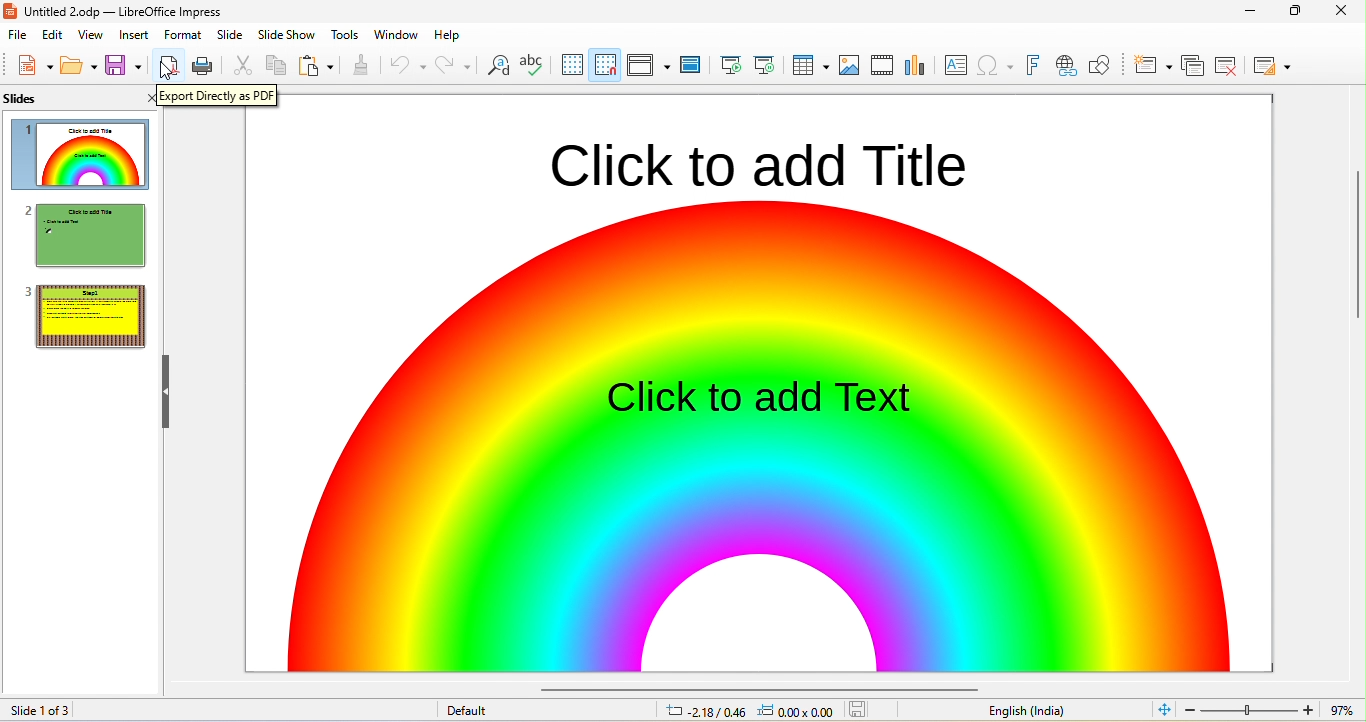  Describe the element at coordinates (395, 33) in the screenshot. I see `window` at that location.